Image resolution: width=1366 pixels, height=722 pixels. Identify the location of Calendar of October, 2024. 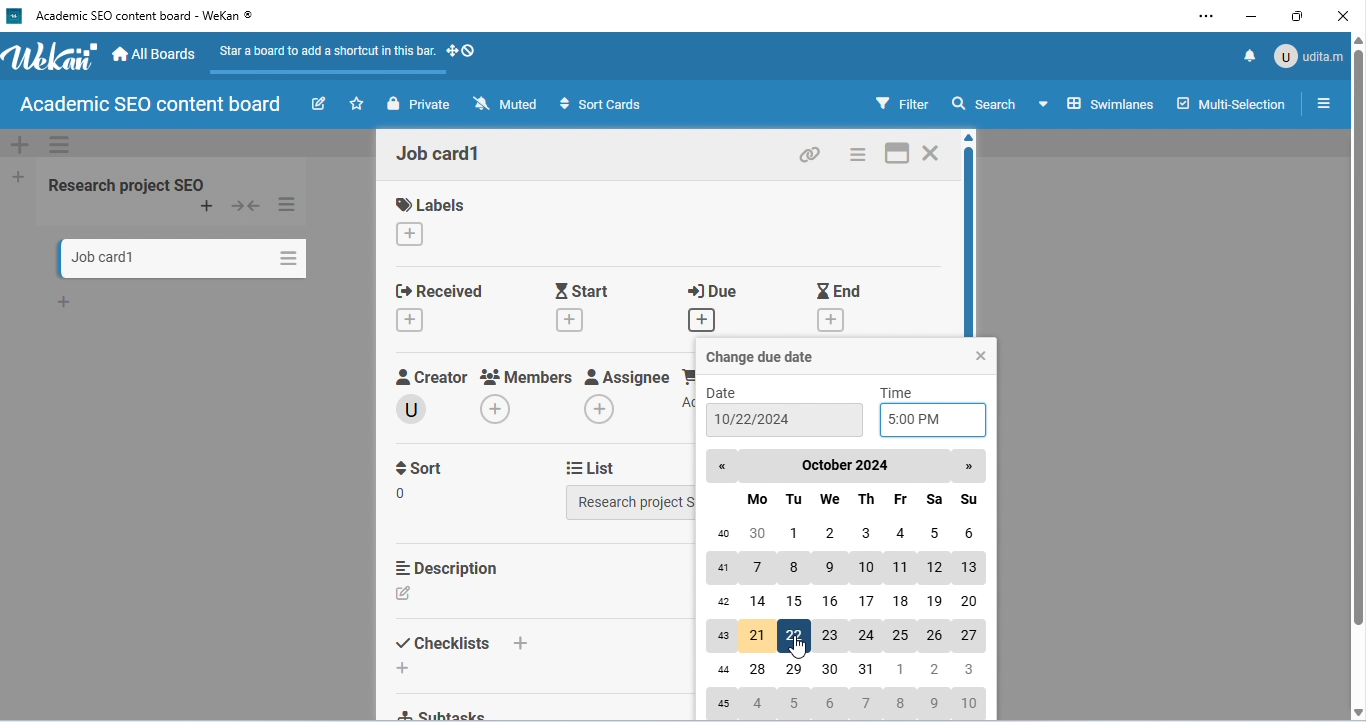
(849, 608).